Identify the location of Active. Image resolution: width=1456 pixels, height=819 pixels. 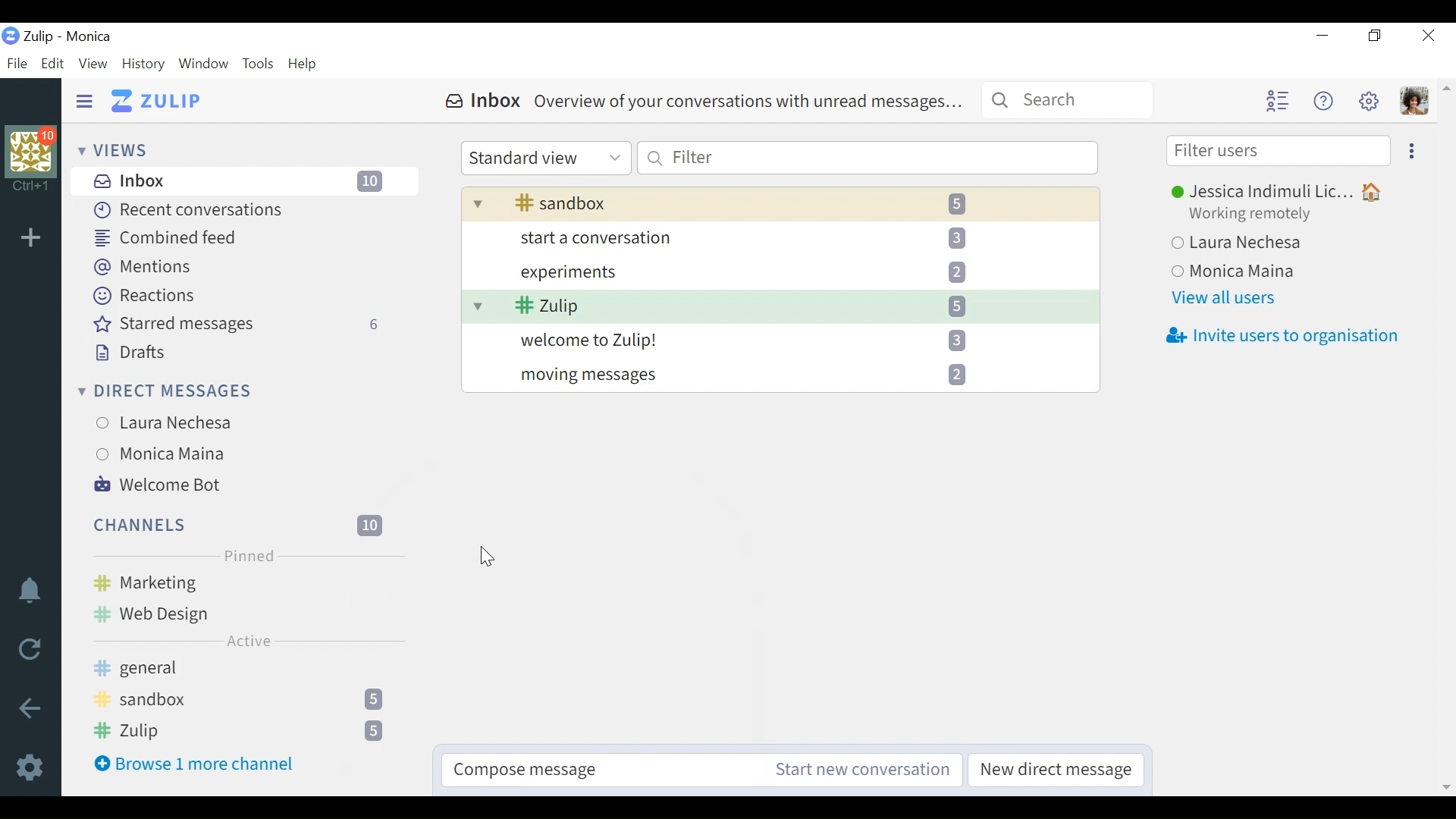
(249, 640).